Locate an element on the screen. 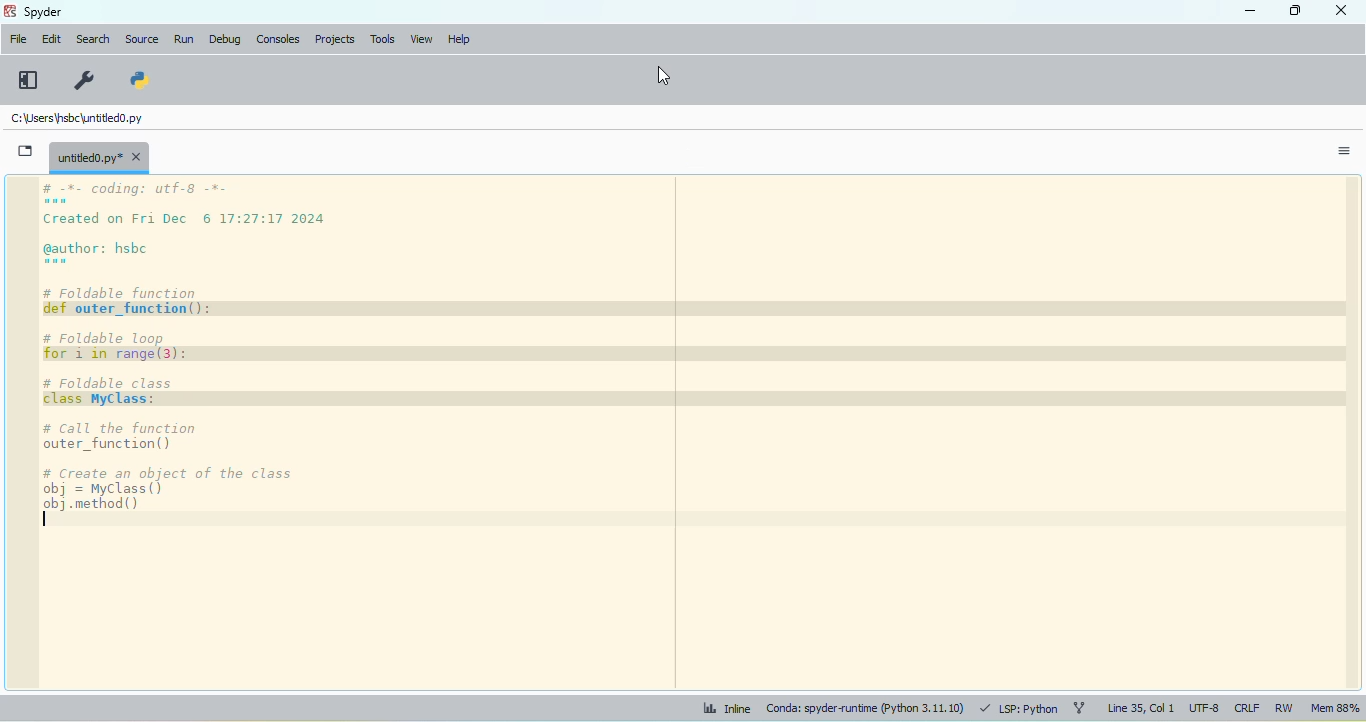 This screenshot has width=1366, height=722. maximize current pane is located at coordinates (28, 80).